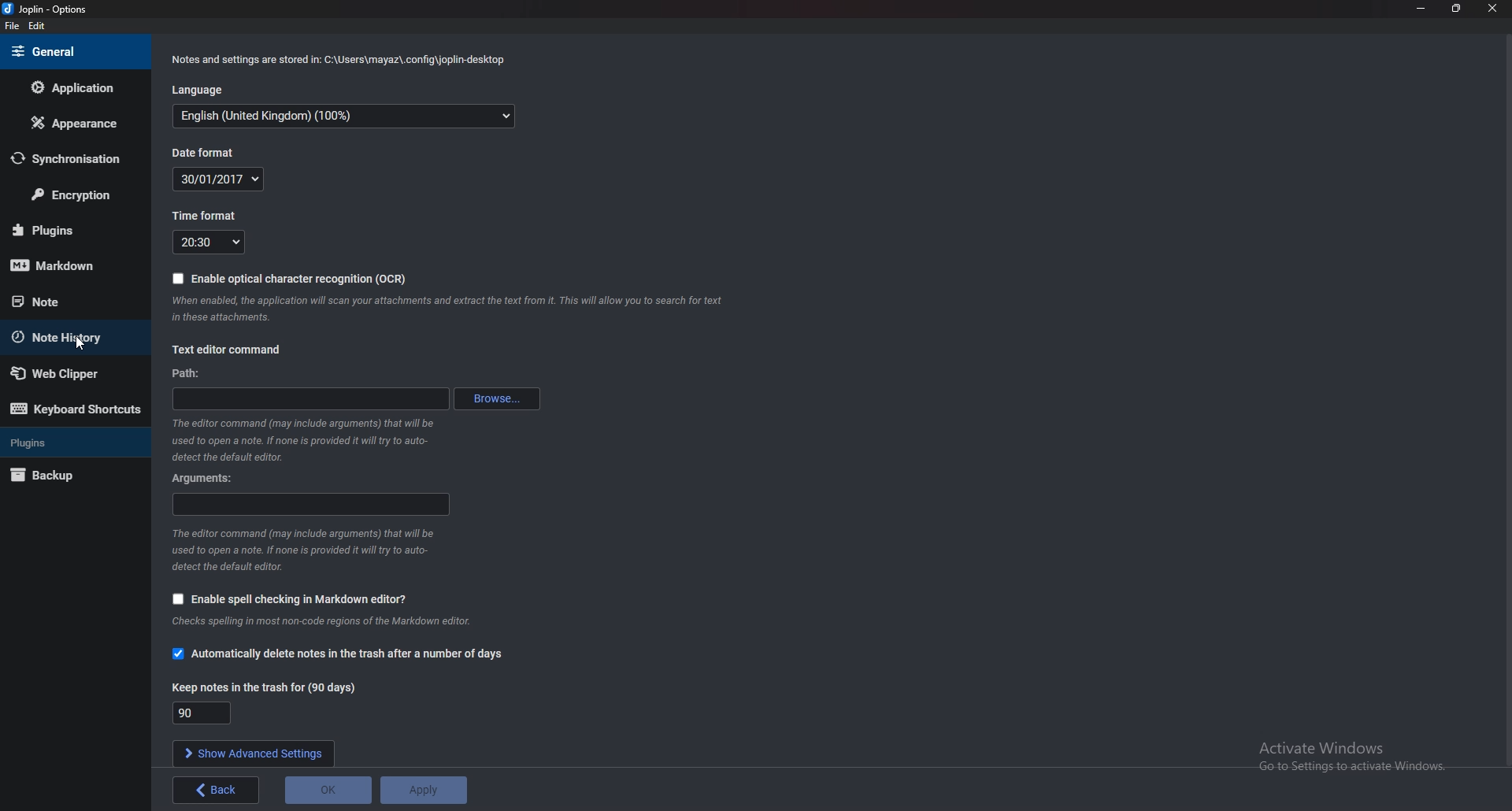 The width and height of the screenshot is (1512, 811). Describe the element at coordinates (313, 397) in the screenshot. I see `path` at that location.